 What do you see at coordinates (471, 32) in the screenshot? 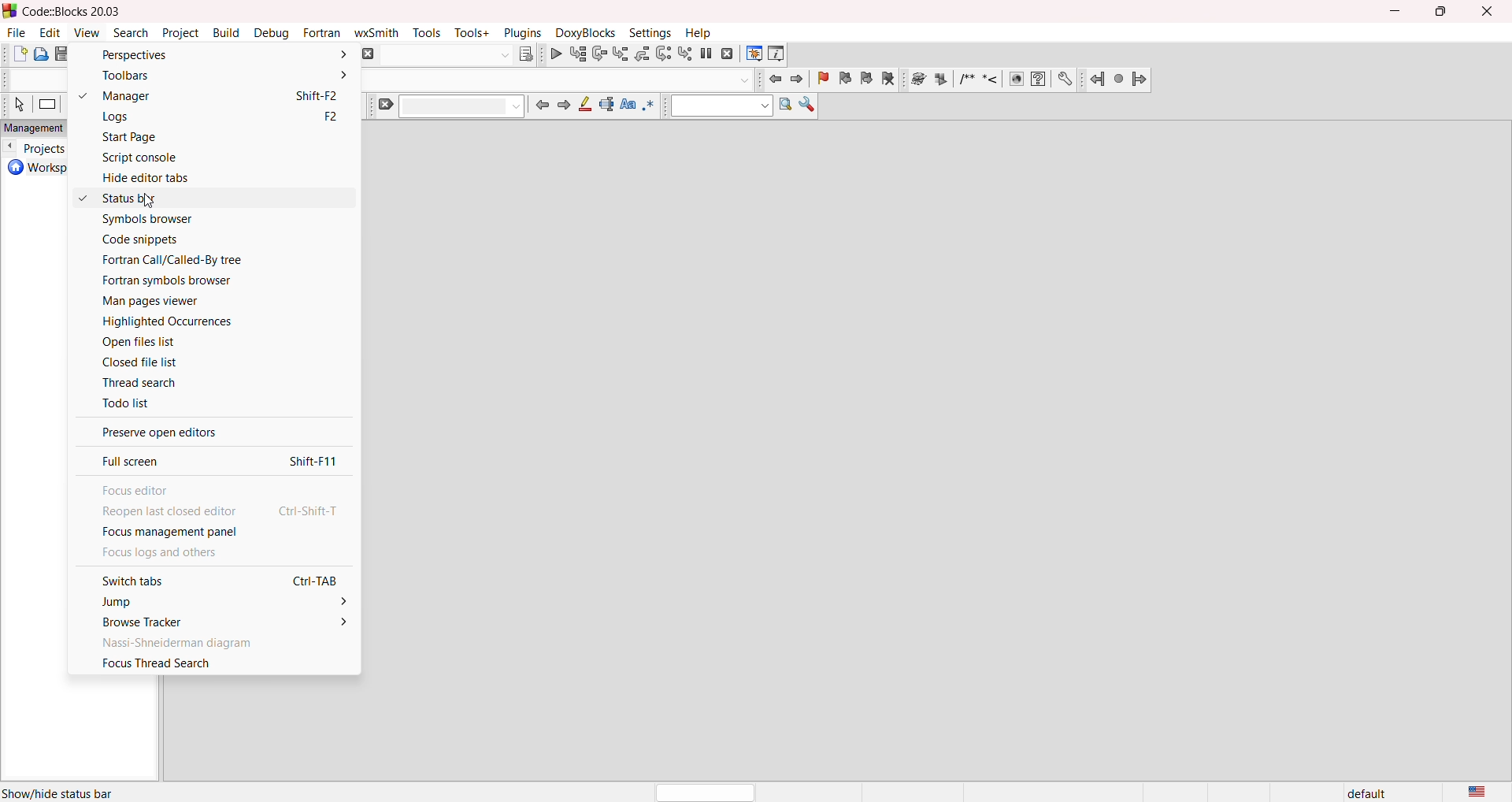
I see `tools+` at bounding box center [471, 32].